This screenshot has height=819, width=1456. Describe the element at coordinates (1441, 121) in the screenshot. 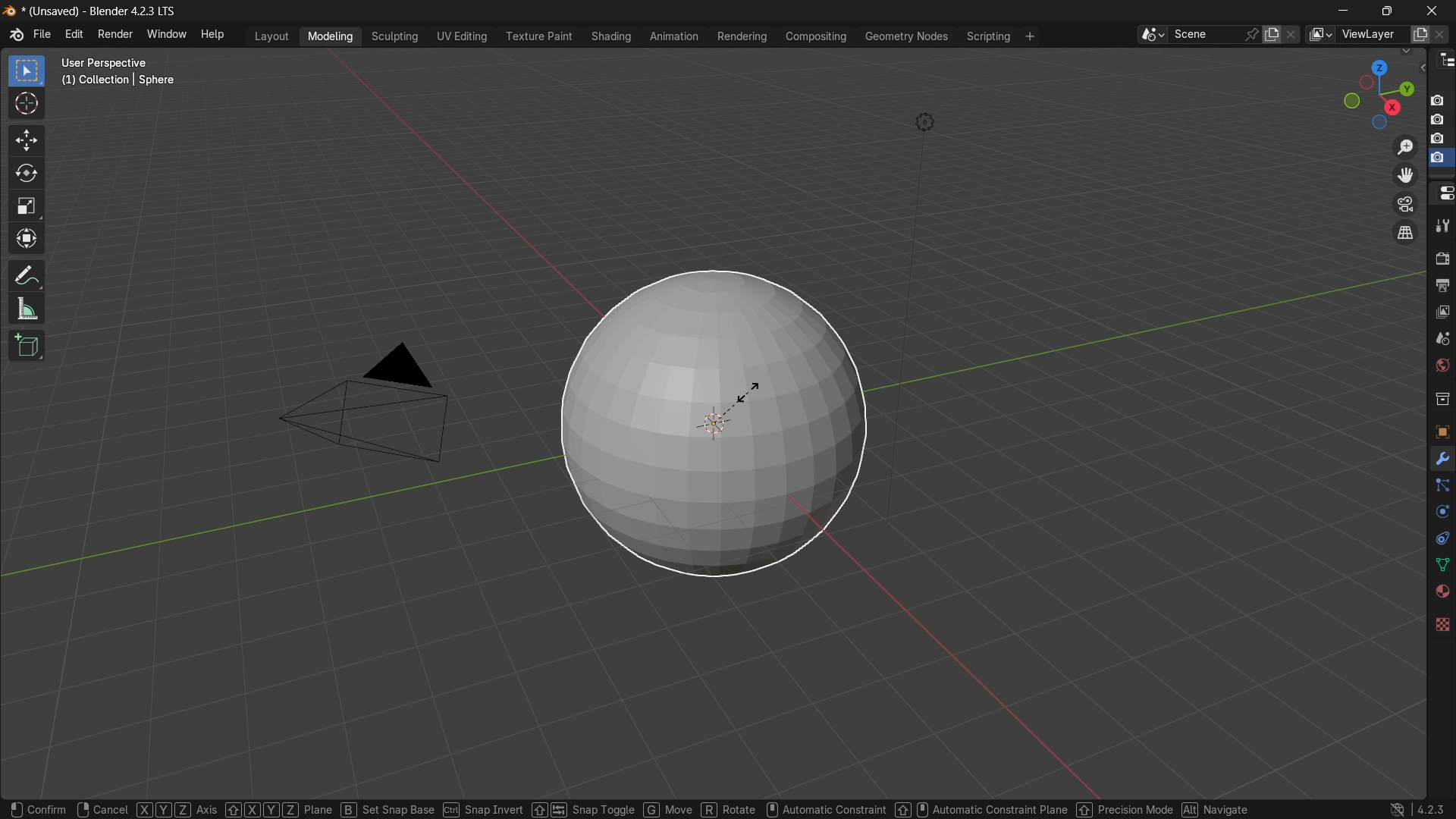

I see `capture` at that location.